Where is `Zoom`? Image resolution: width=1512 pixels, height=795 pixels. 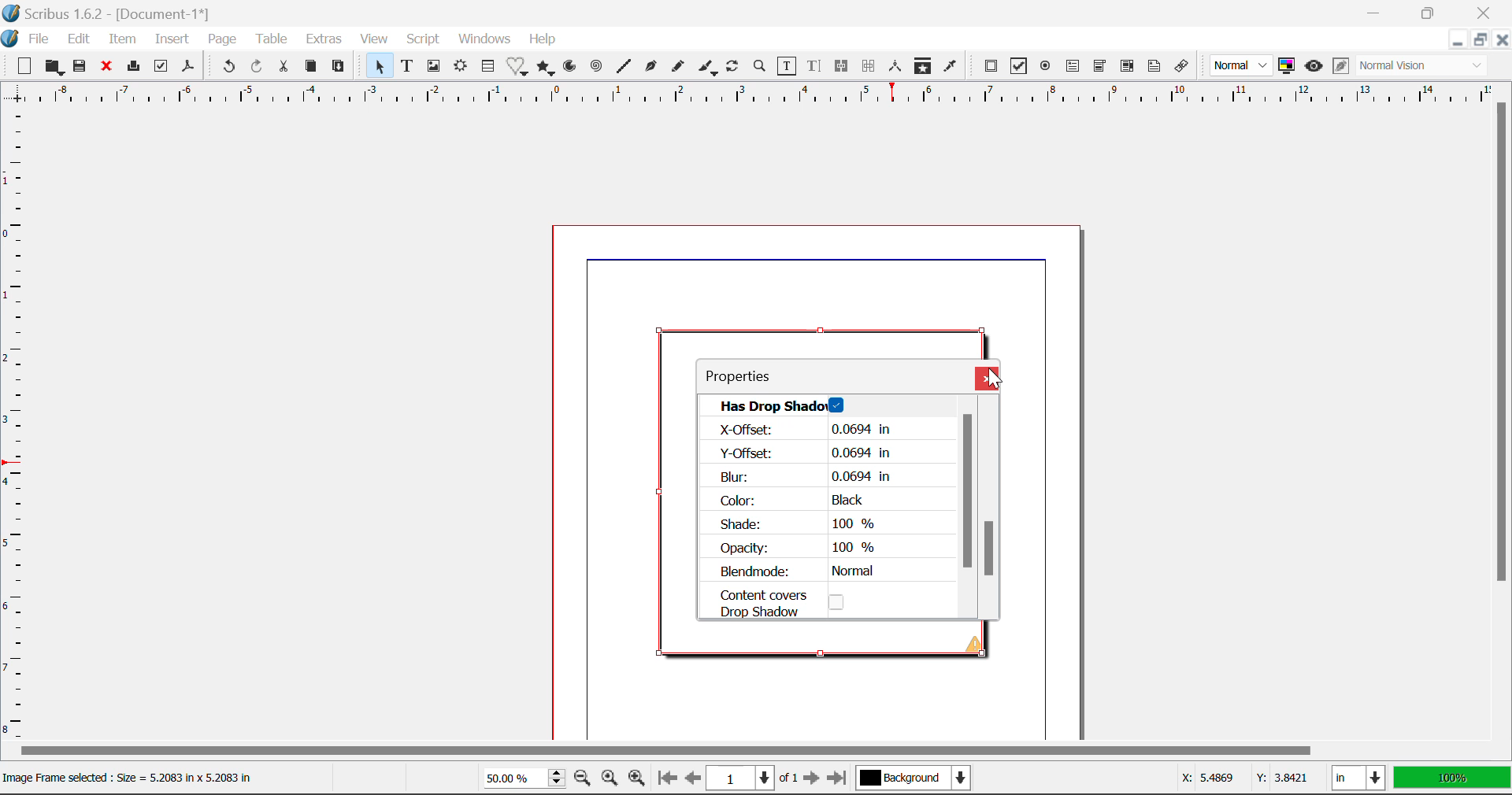 Zoom is located at coordinates (762, 68).